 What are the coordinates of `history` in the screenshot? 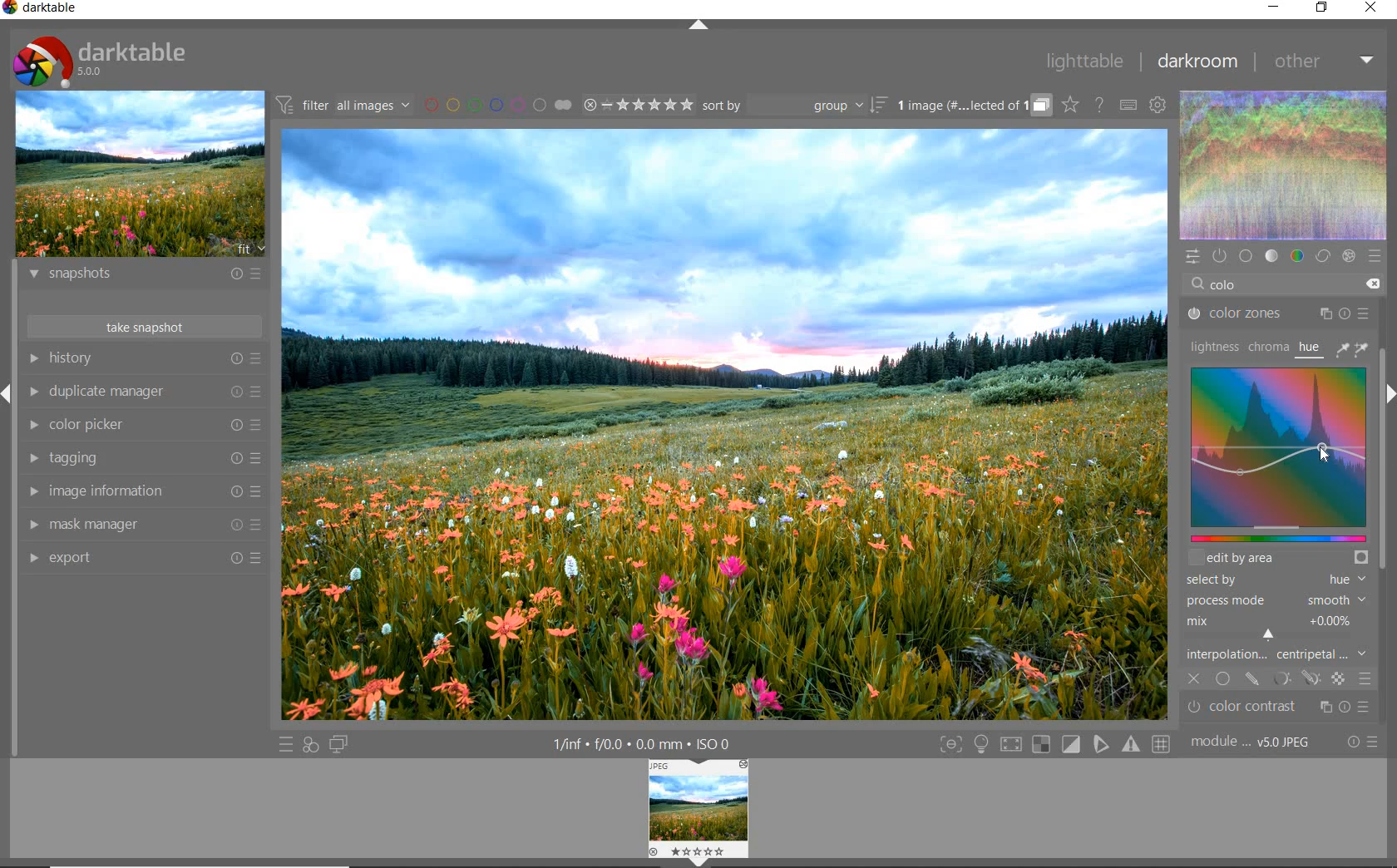 It's located at (143, 358).